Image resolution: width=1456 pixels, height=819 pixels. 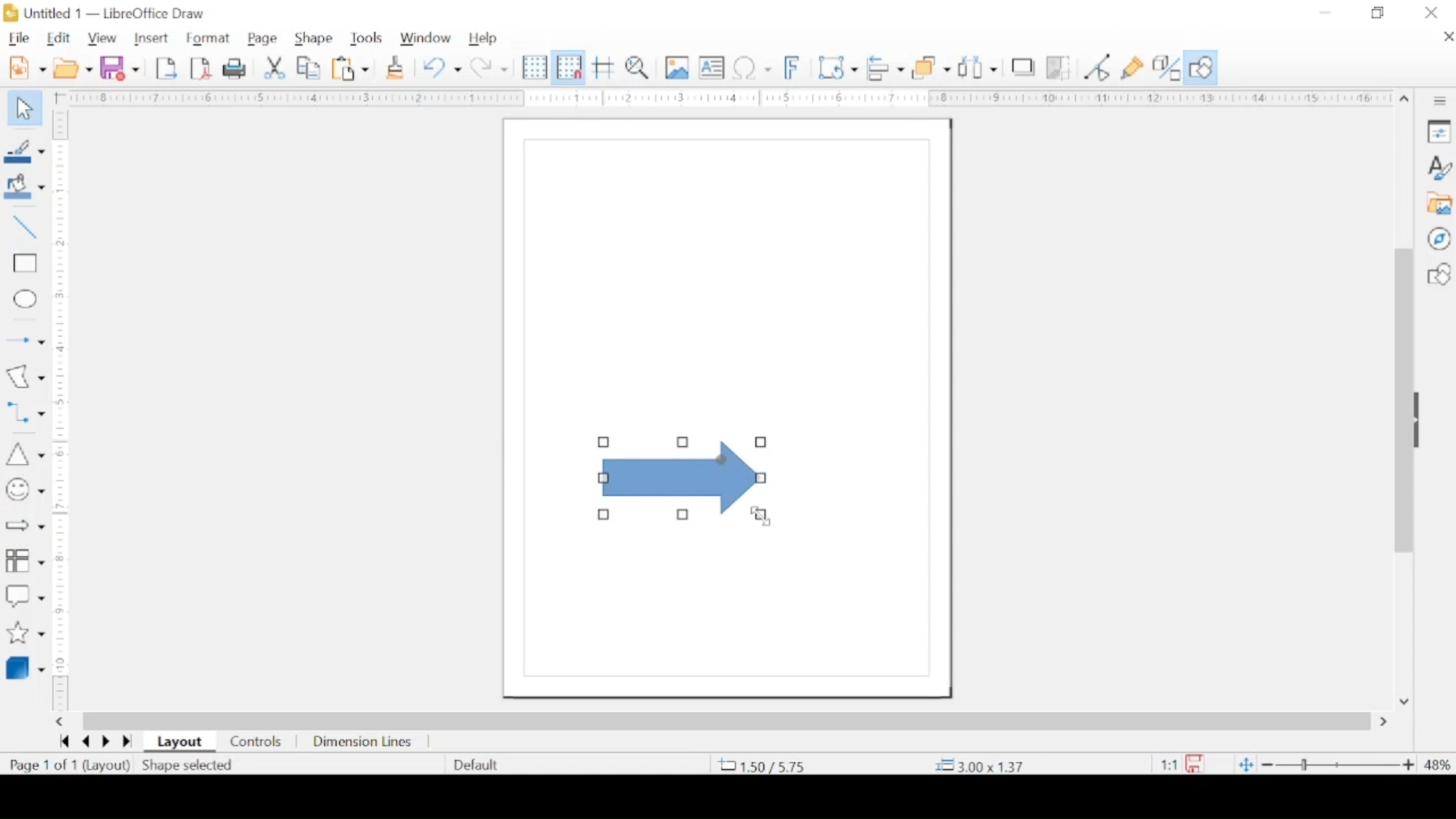 I want to click on margin, so click(x=64, y=325).